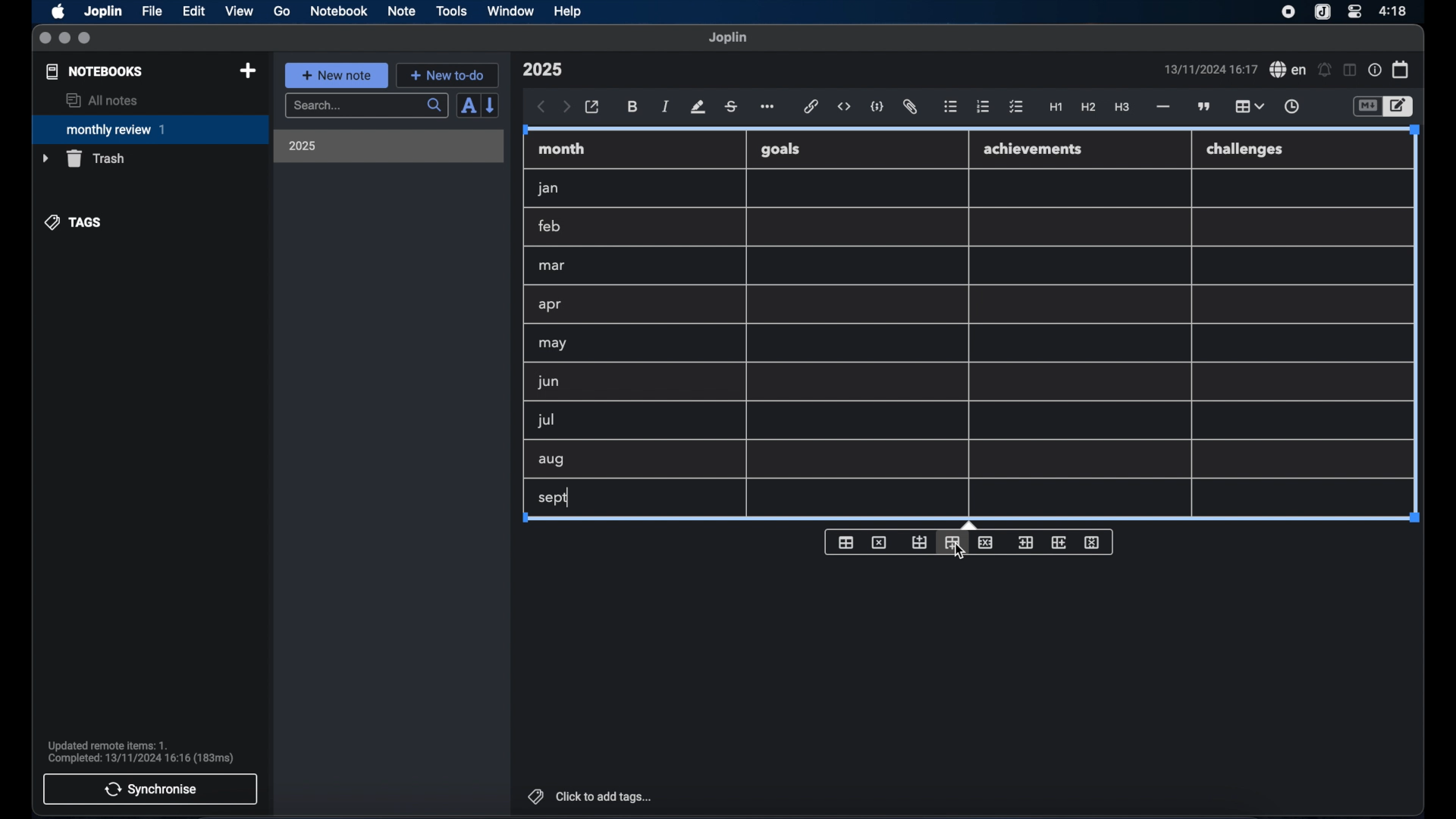  I want to click on sept, so click(554, 499).